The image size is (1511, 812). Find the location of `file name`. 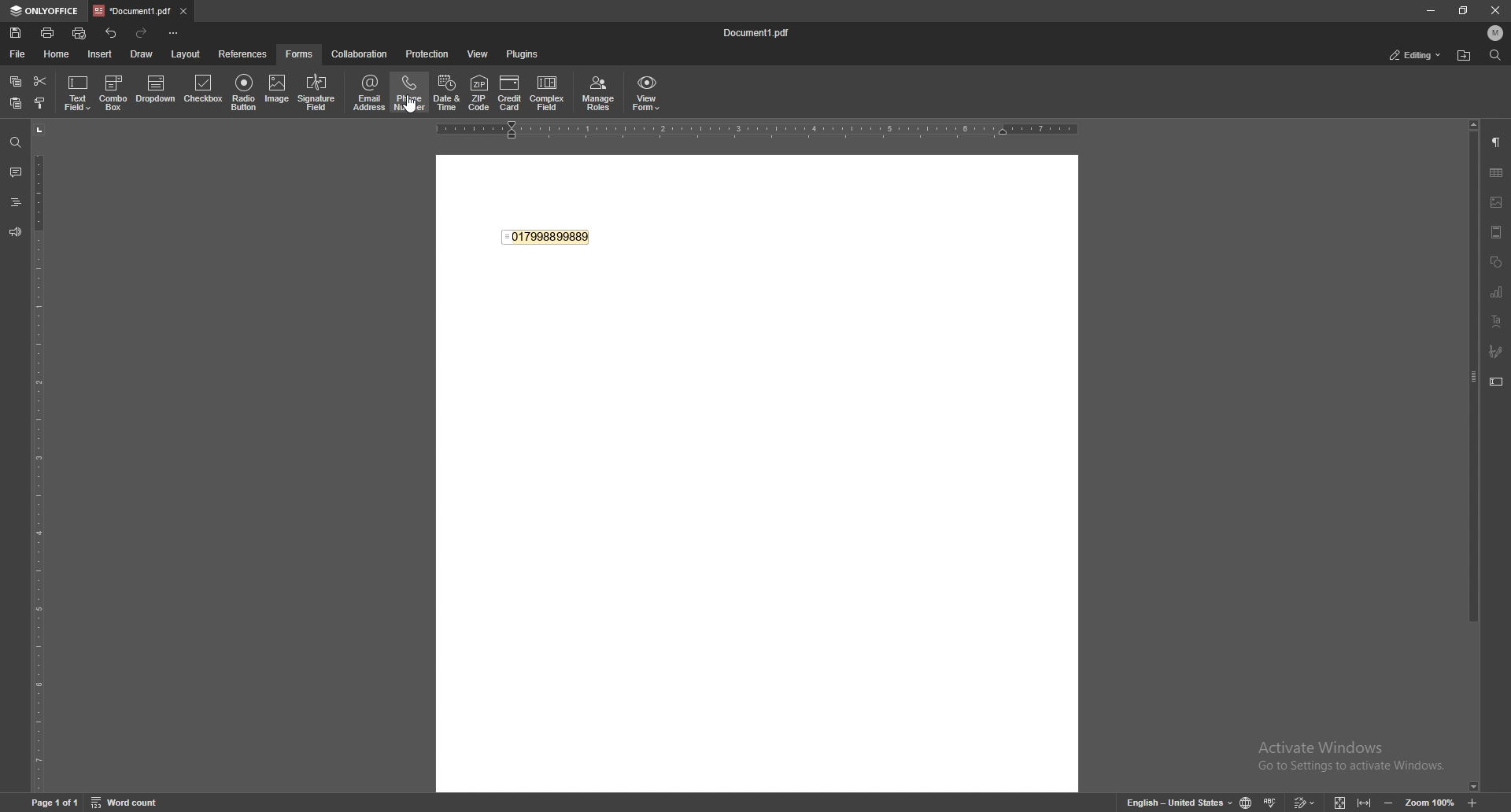

file name is located at coordinates (755, 34).